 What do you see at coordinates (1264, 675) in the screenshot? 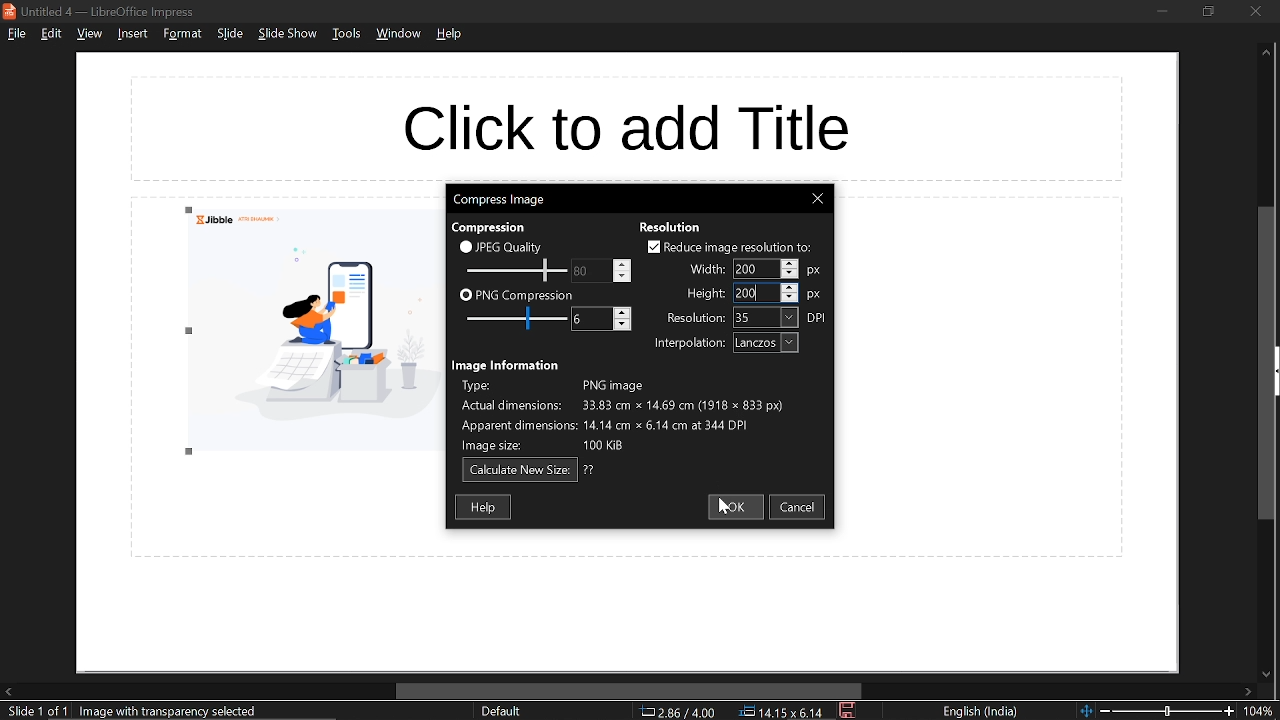
I see `move down` at bounding box center [1264, 675].